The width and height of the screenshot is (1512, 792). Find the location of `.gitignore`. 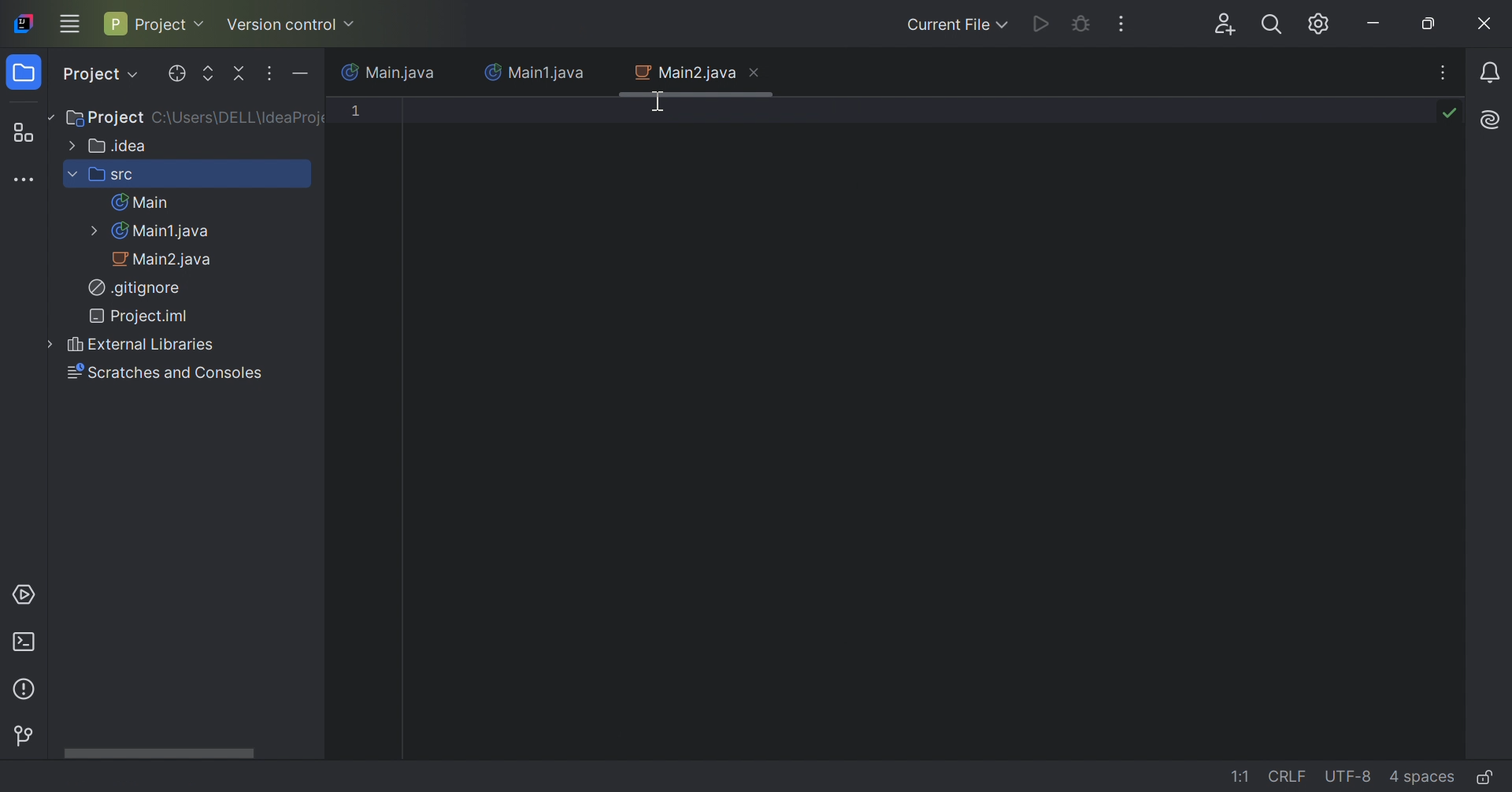

.gitignore is located at coordinates (135, 287).